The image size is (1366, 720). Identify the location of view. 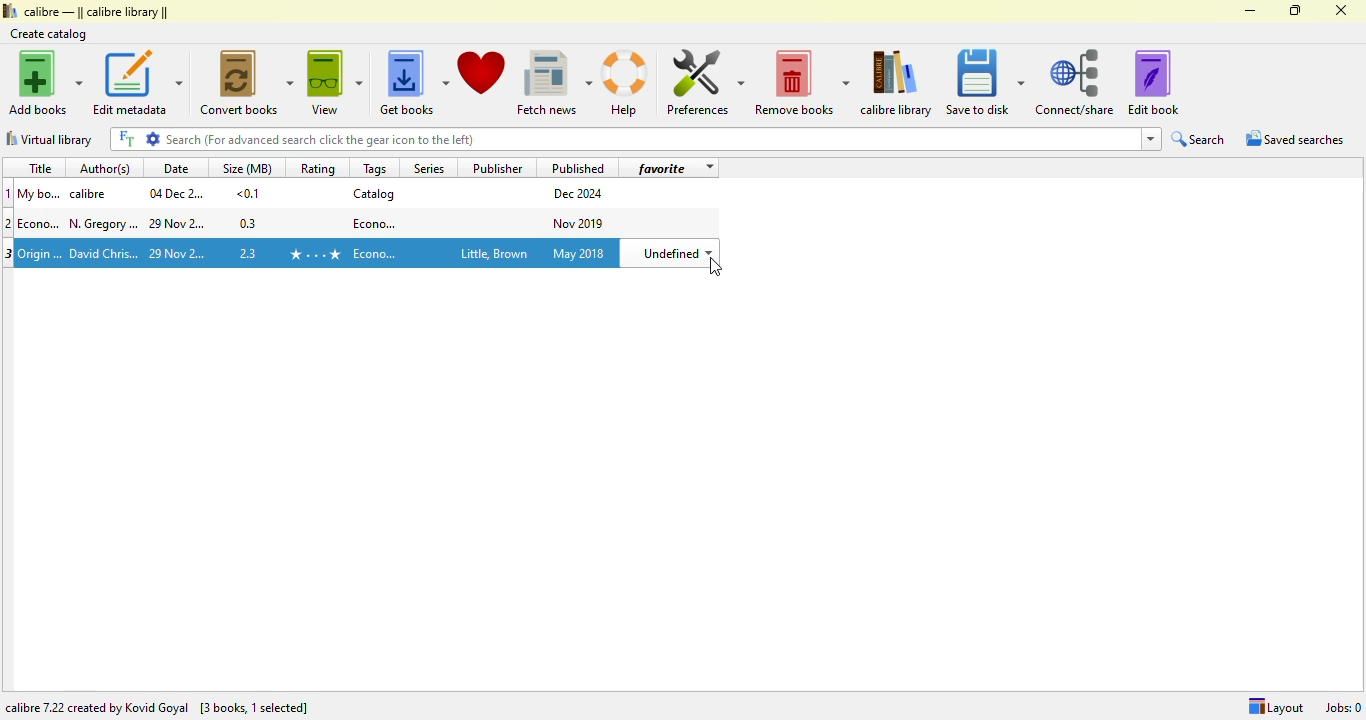
(335, 82).